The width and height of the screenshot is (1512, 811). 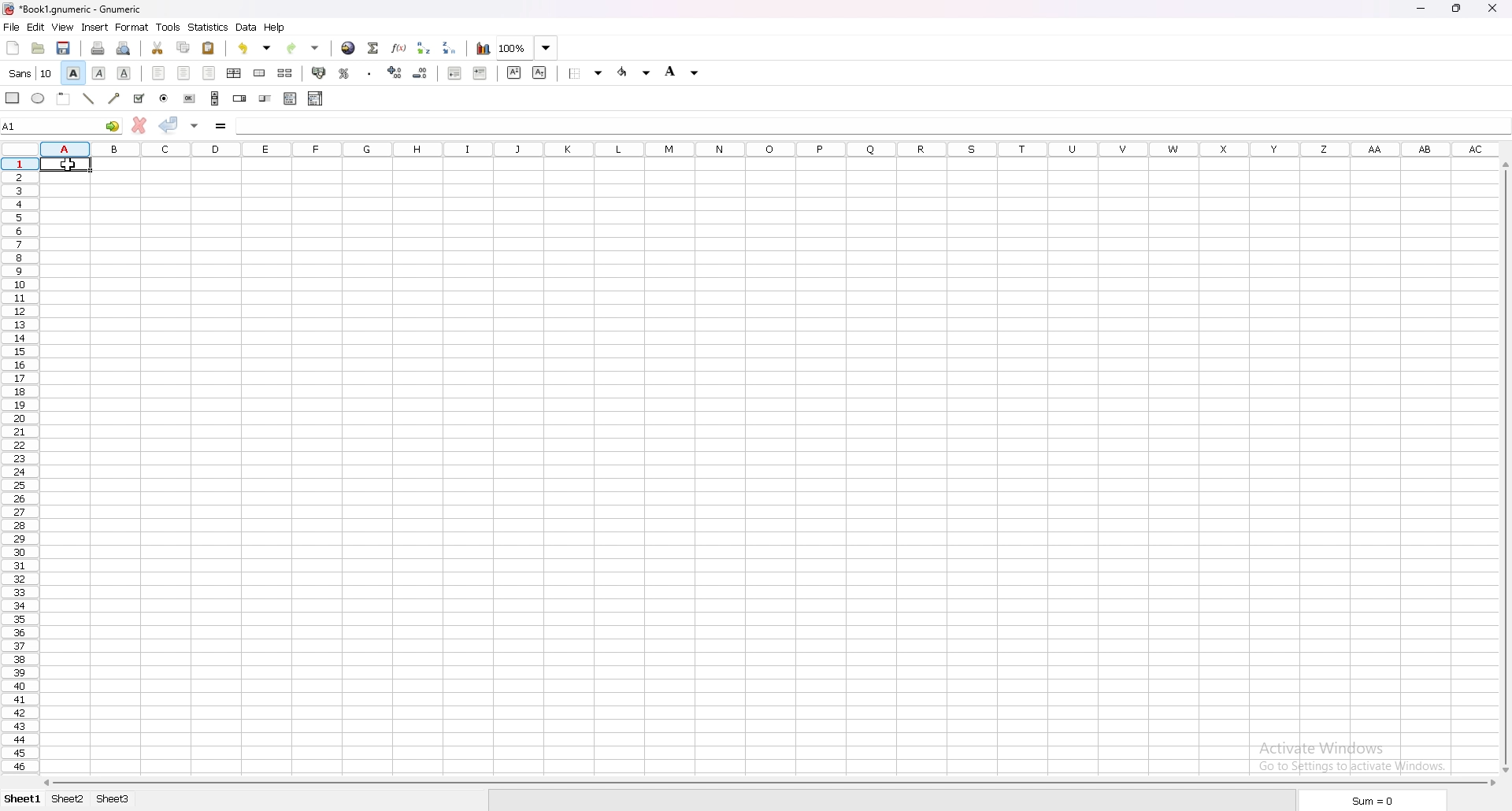 I want to click on sort descending, so click(x=449, y=48).